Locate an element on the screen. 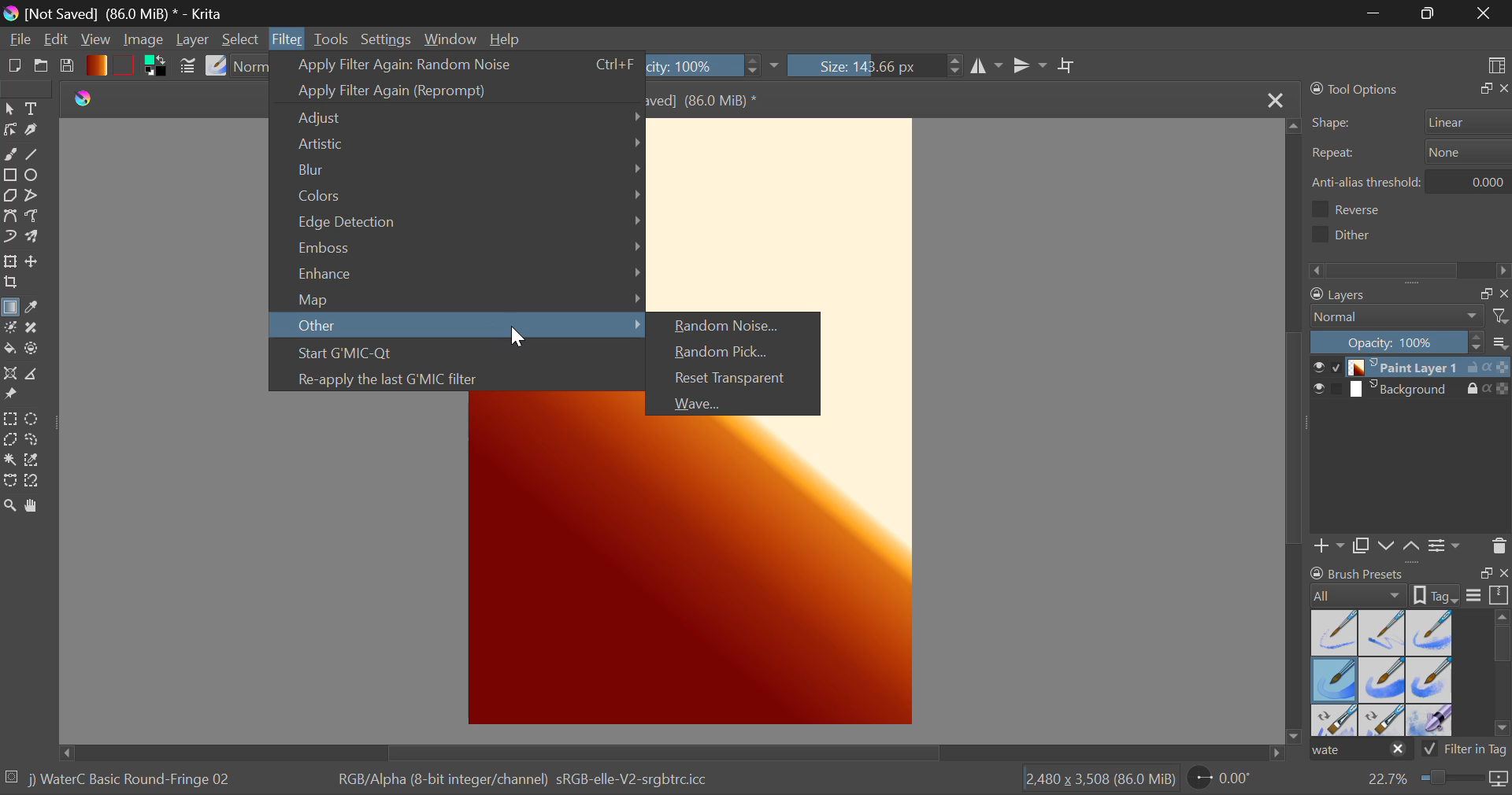 The width and height of the screenshot is (1512, 795). Brush presets is located at coordinates (1360, 572).